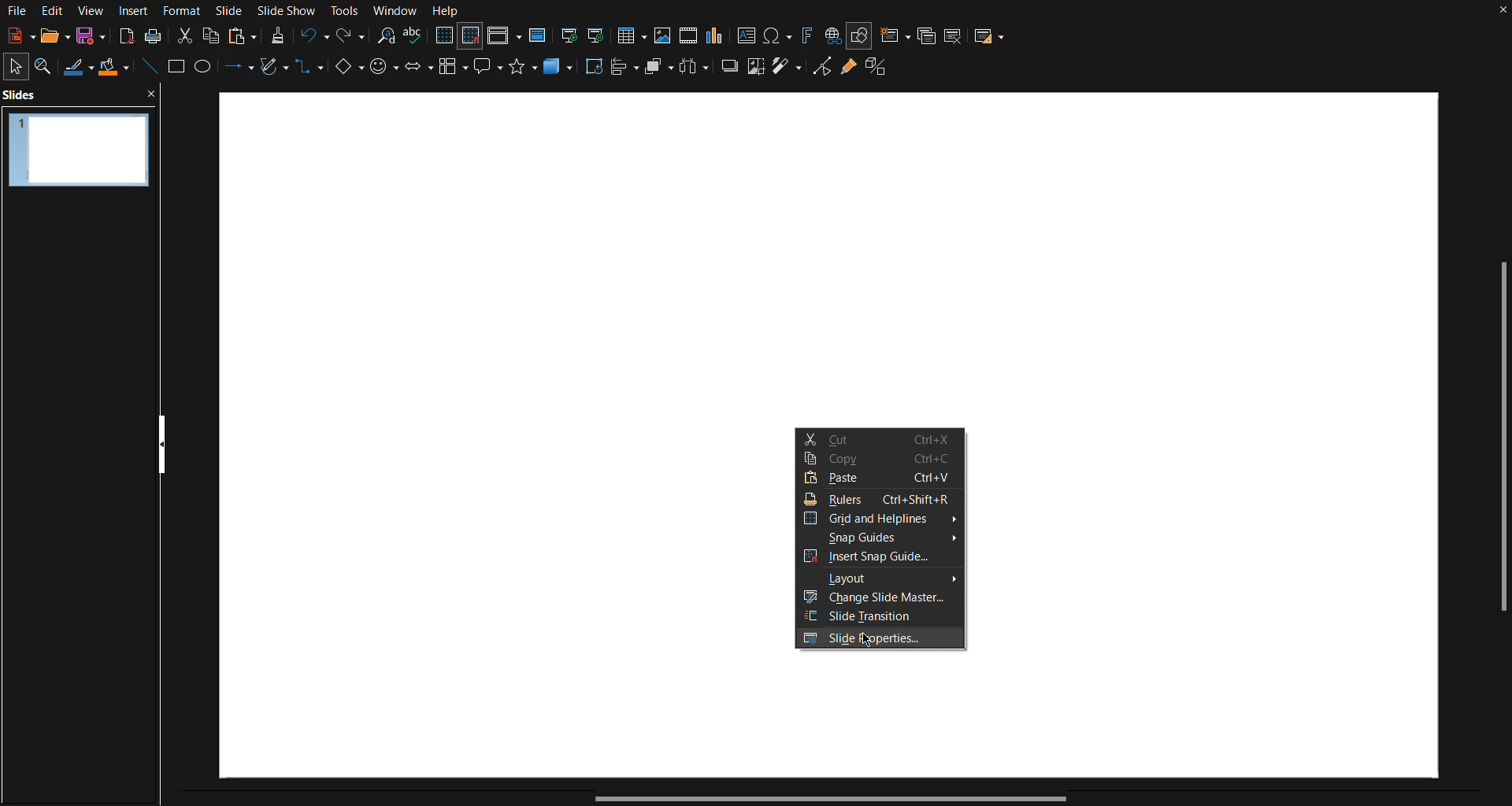  What do you see at coordinates (659, 70) in the screenshot?
I see `Arrange` at bounding box center [659, 70].